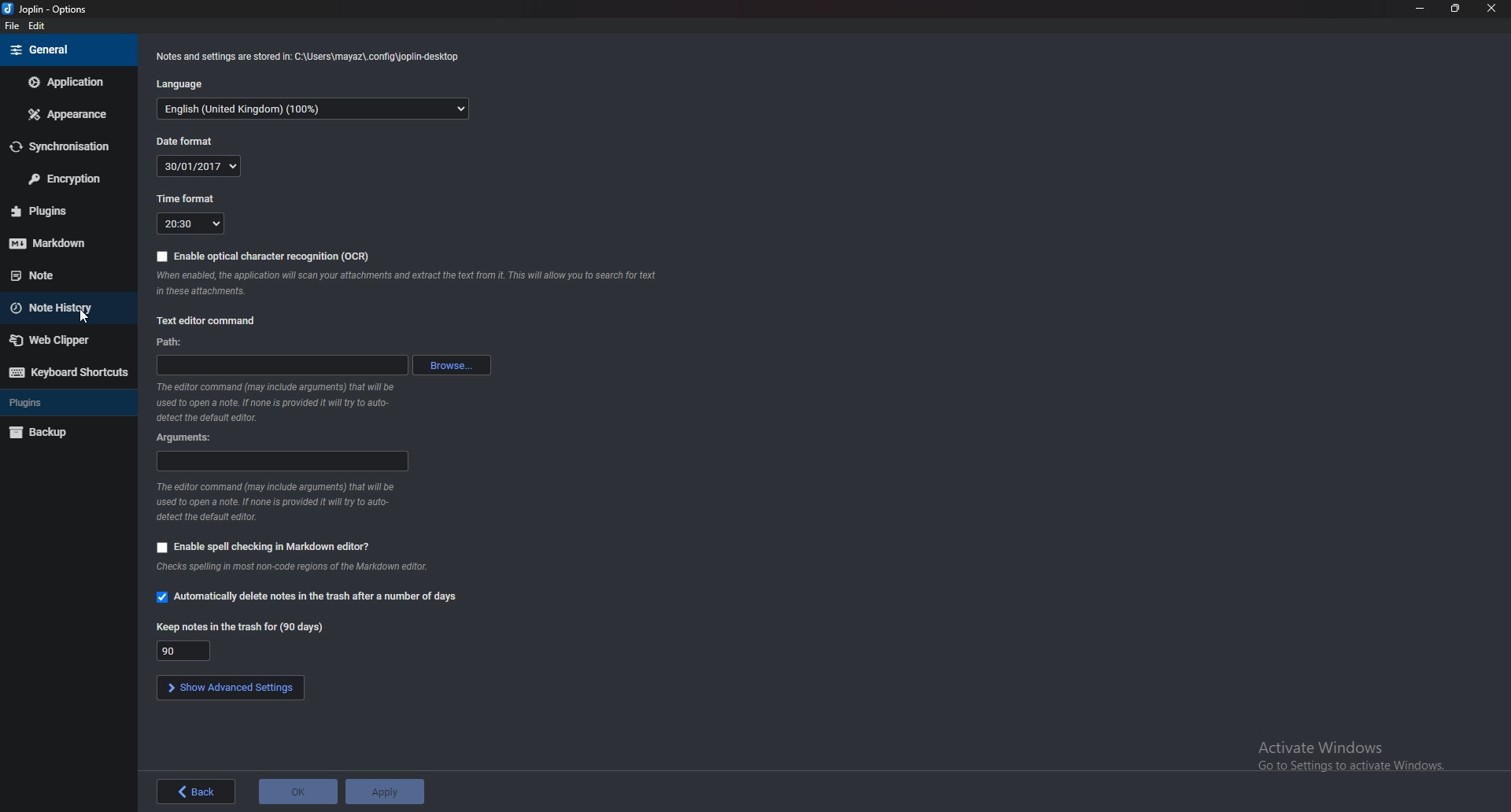 Image resolution: width=1511 pixels, height=812 pixels. What do you see at coordinates (453, 367) in the screenshot?
I see `browse` at bounding box center [453, 367].